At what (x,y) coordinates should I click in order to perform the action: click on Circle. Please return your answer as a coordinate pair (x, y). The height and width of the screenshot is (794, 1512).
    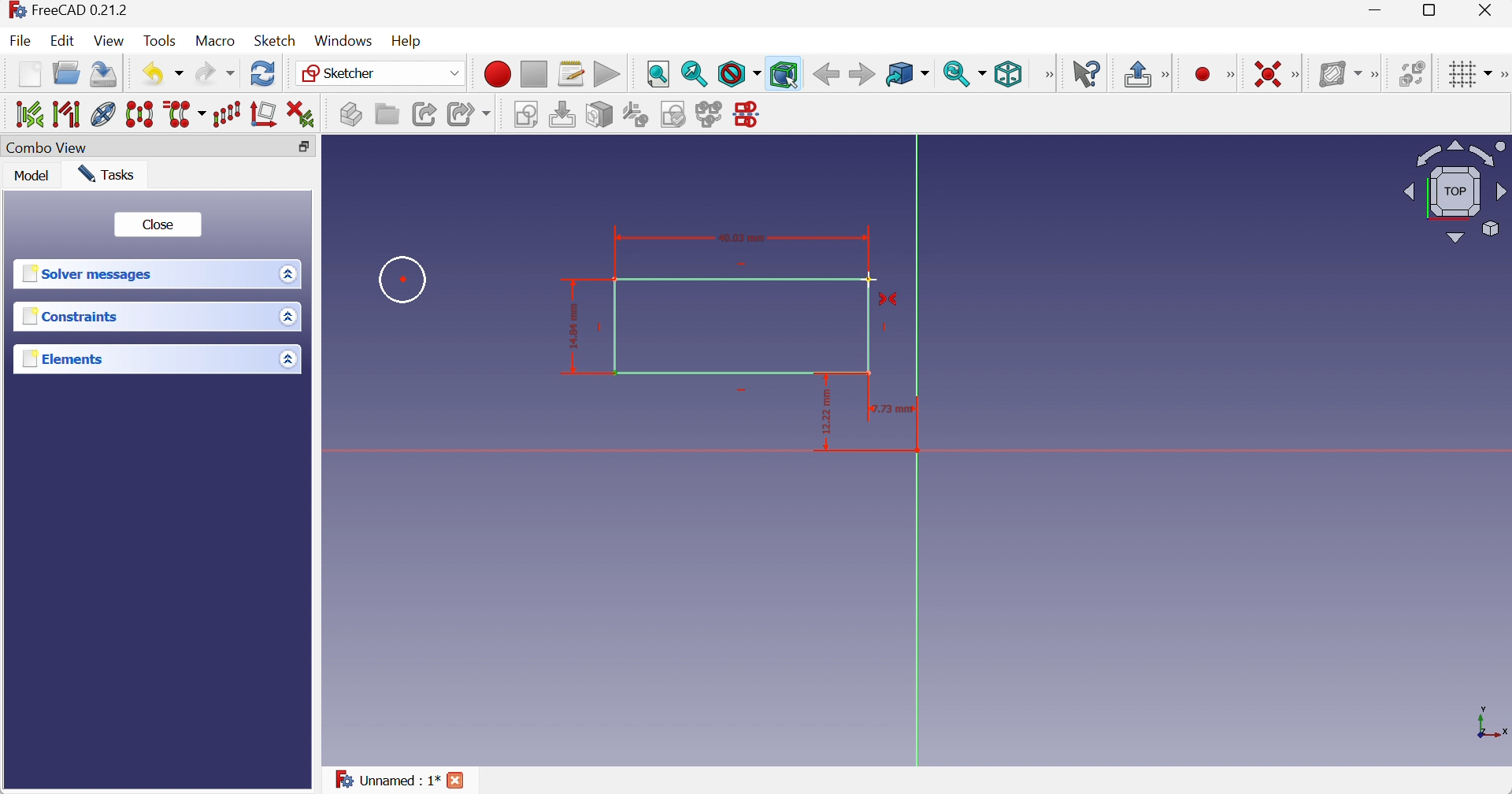
    Looking at the image, I should click on (404, 279).